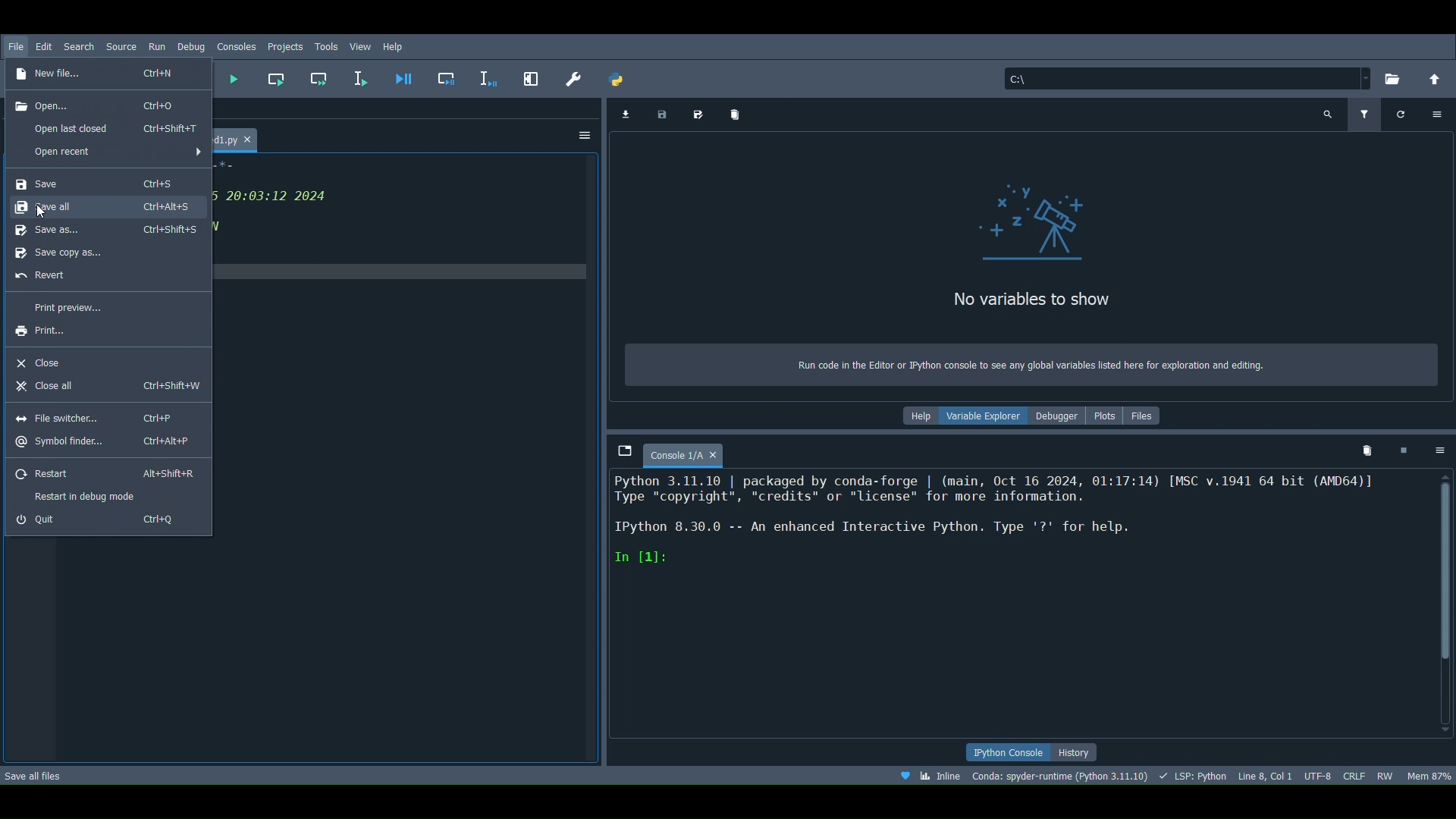  What do you see at coordinates (1001, 752) in the screenshot?
I see `IPython console` at bounding box center [1001, 752].